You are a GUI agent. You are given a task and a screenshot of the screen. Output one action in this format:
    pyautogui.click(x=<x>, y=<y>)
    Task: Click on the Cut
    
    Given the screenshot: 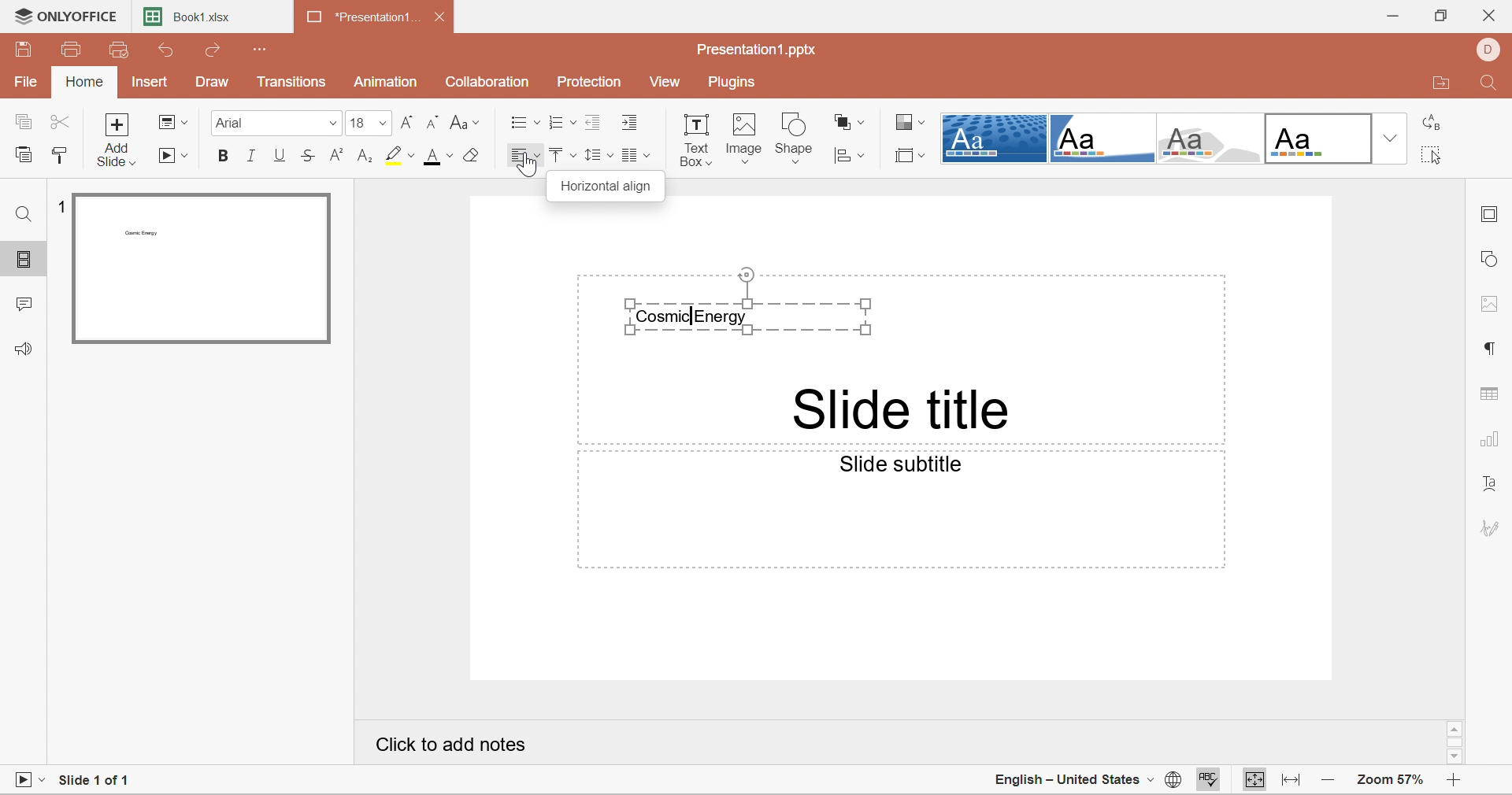 What is the action you would take?
    pyautogui.click(x=60, y=123)
    